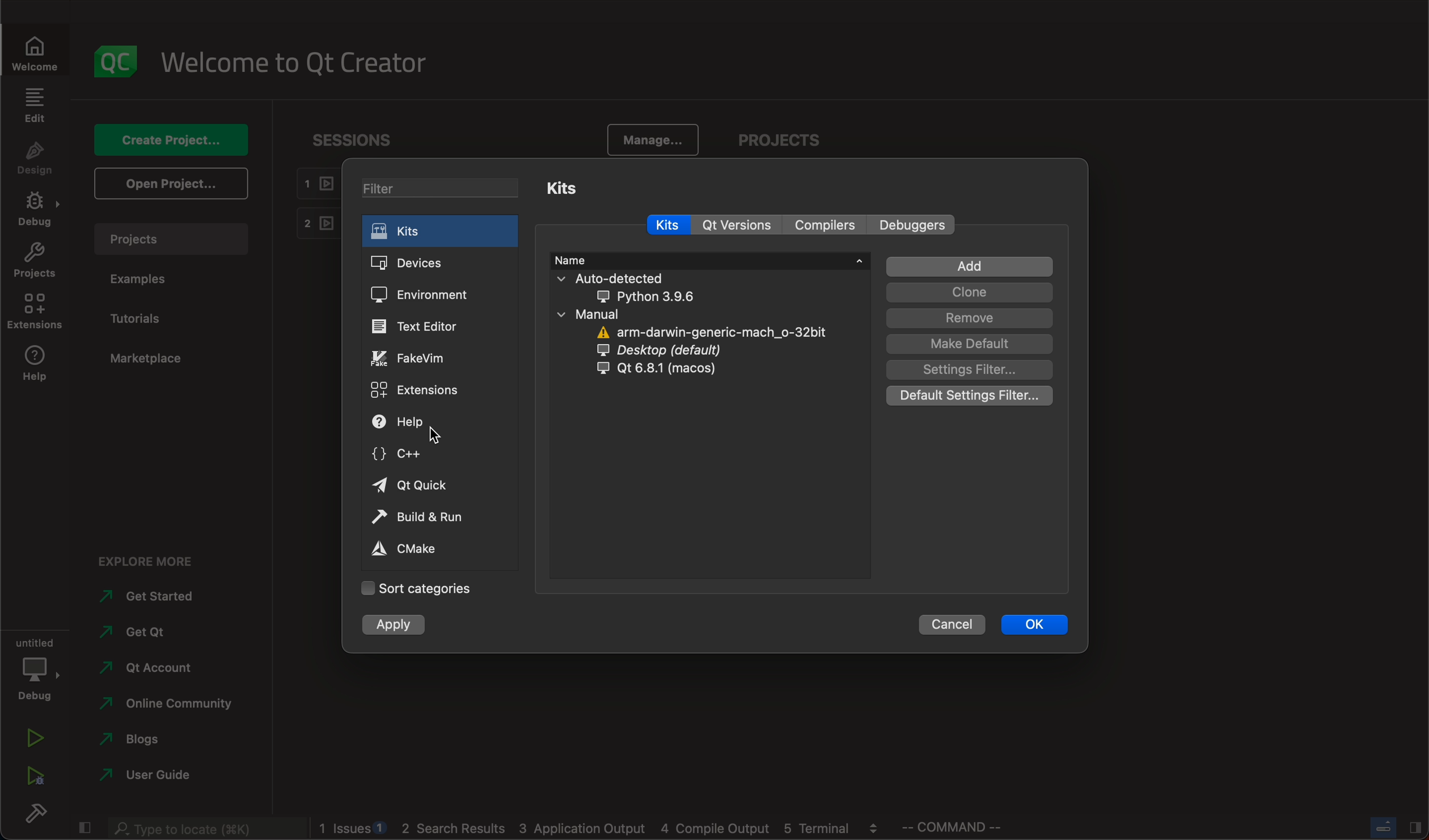 The width and height of the screenshot is (1429, 840). What do you see at coordinates (826, 224) in the screenshot?
I see `compilers` at bounding box center [826, 224].